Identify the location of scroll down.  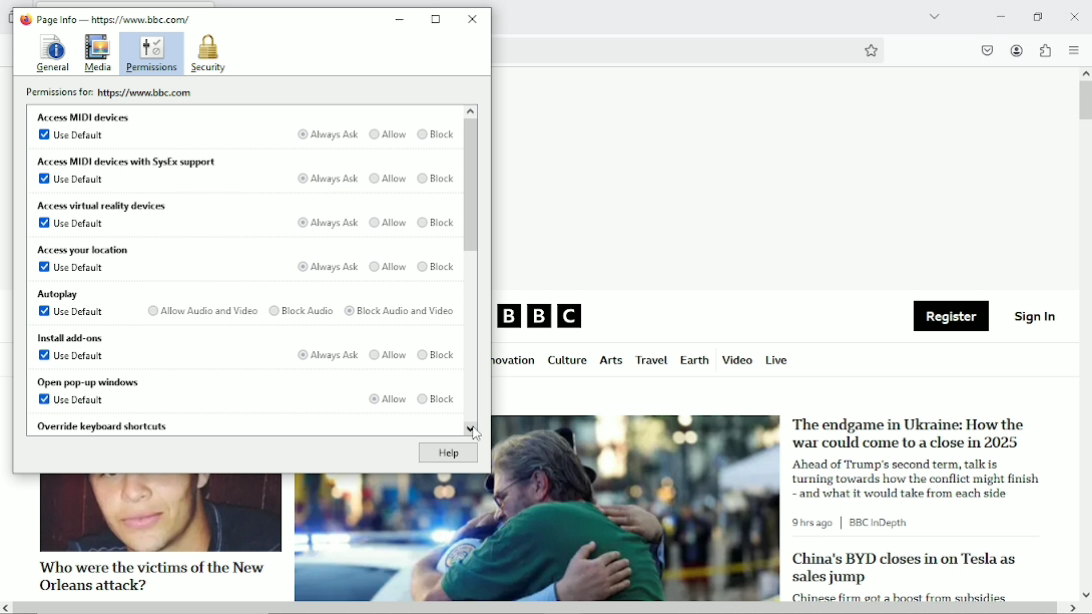
(469, 428).